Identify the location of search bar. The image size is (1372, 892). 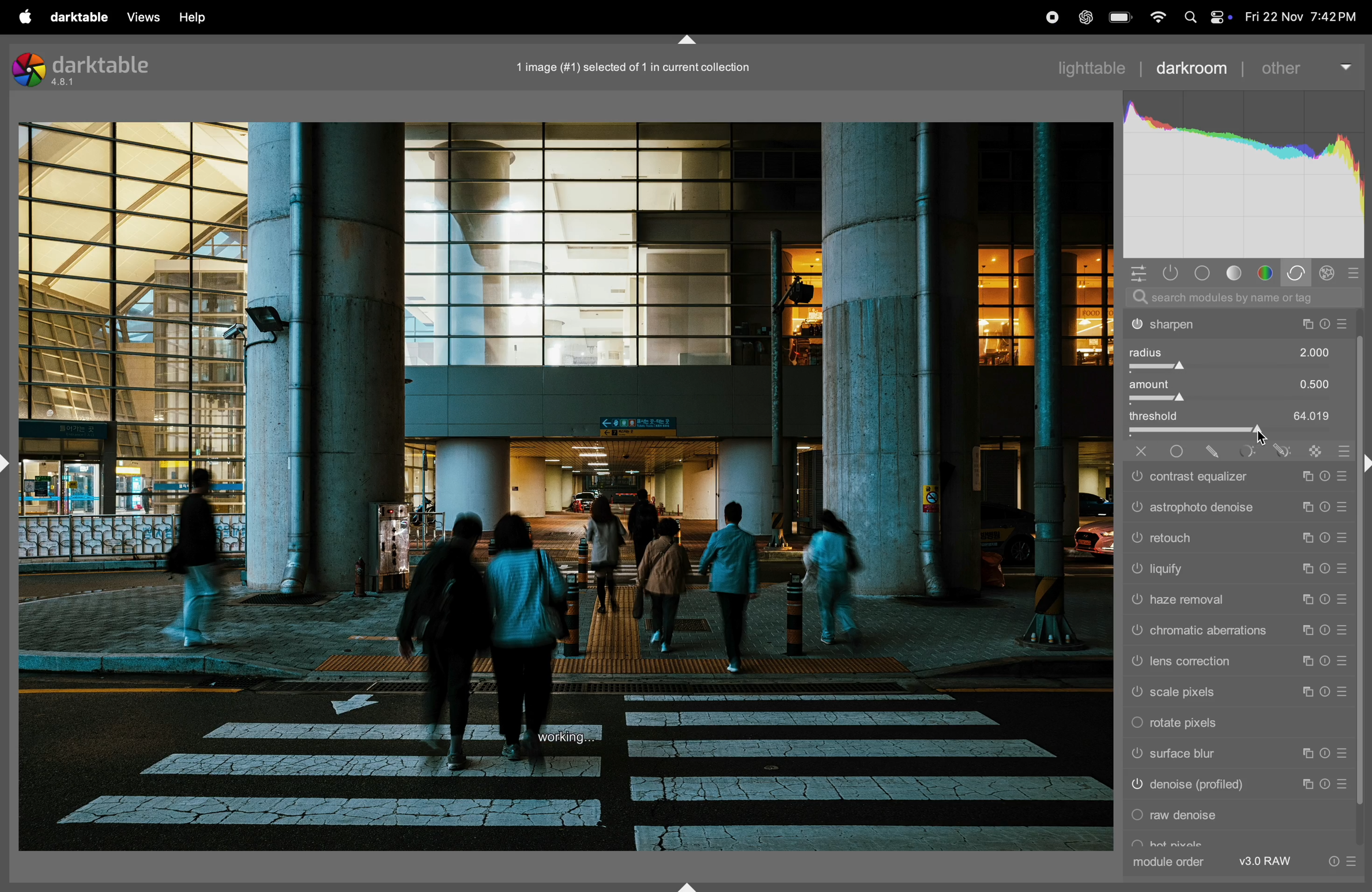
(1241, 297).